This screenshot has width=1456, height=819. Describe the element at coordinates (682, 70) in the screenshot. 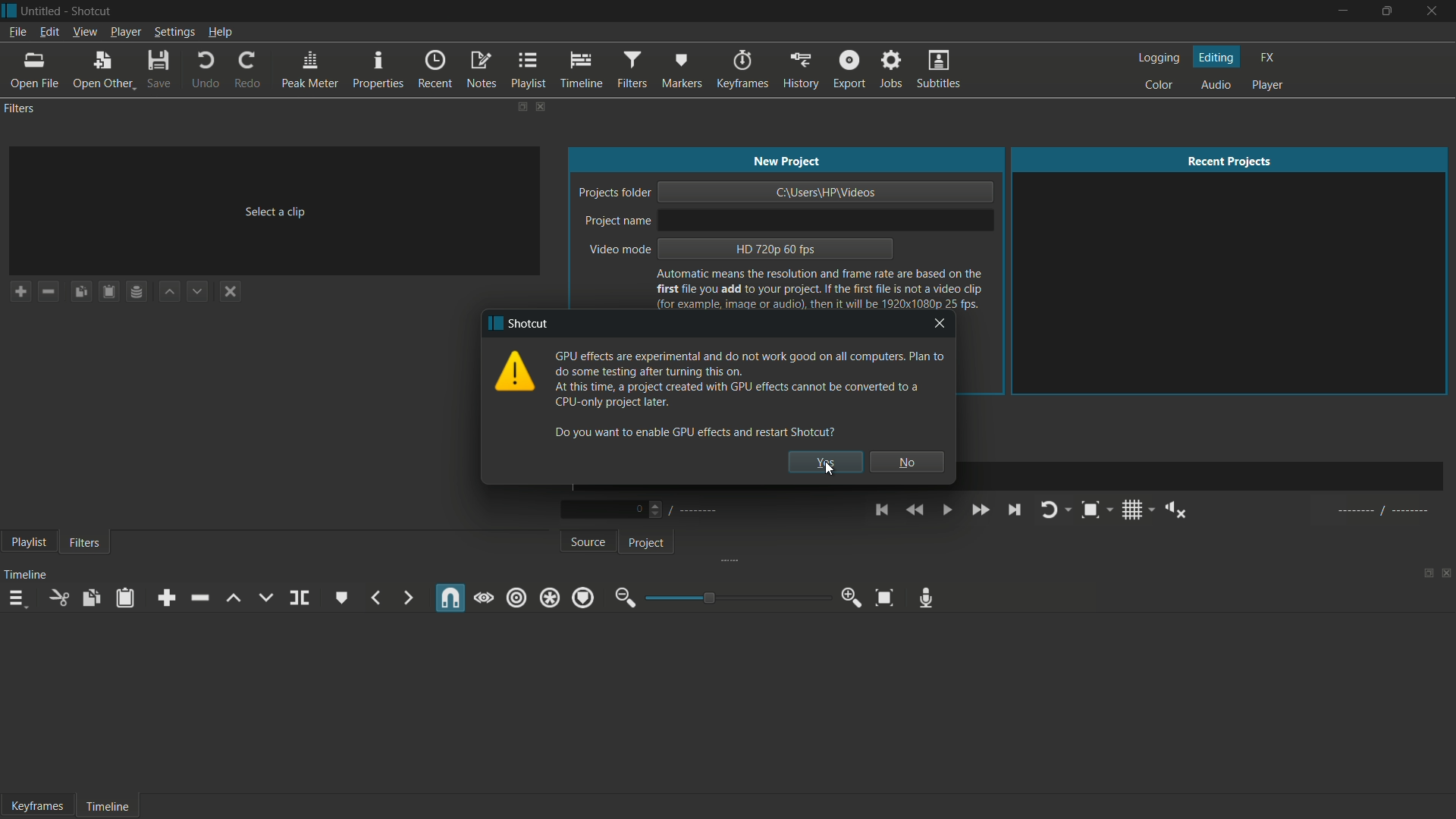

I see `markers` at that location.